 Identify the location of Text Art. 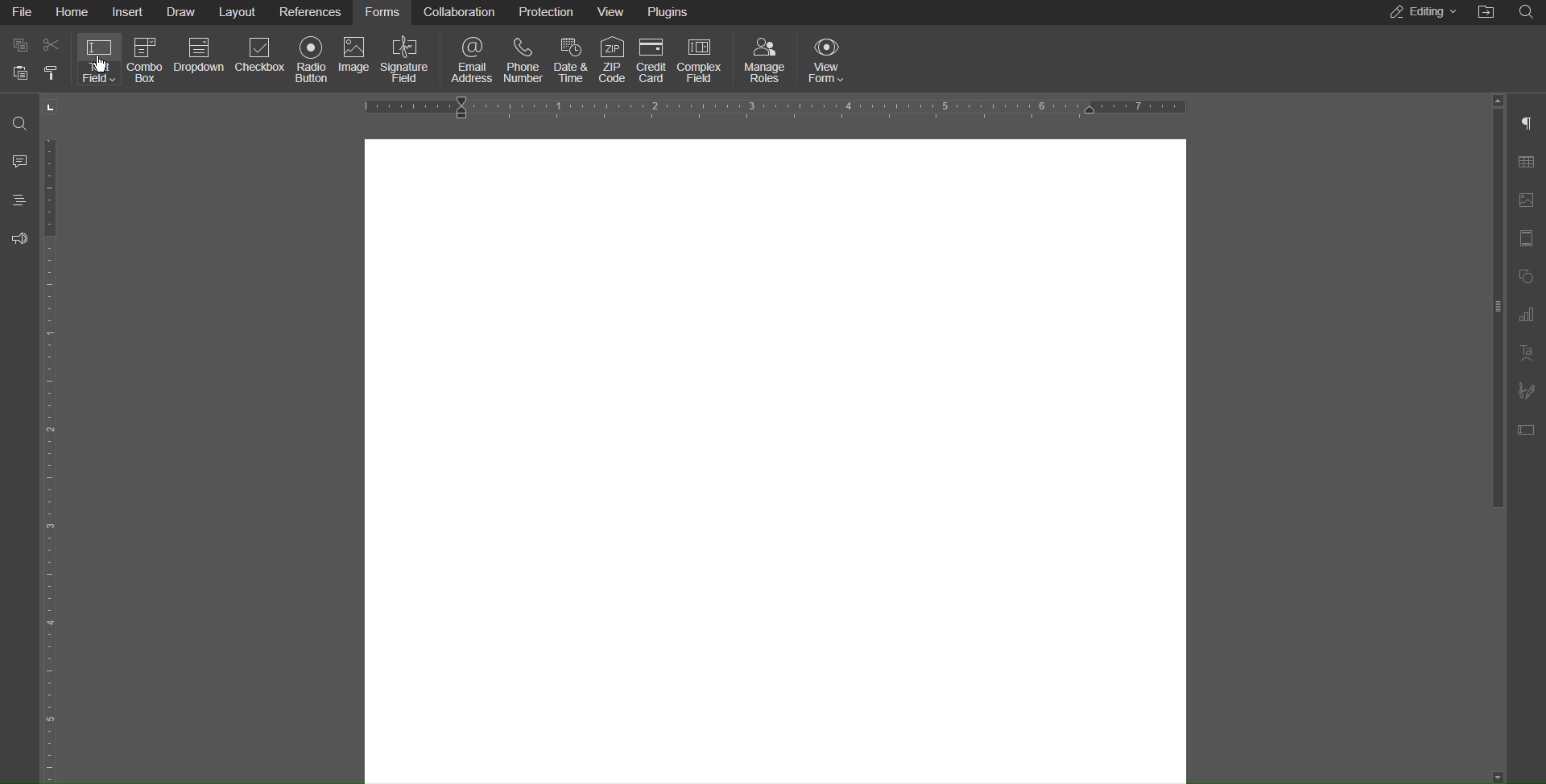
(1530, 356).